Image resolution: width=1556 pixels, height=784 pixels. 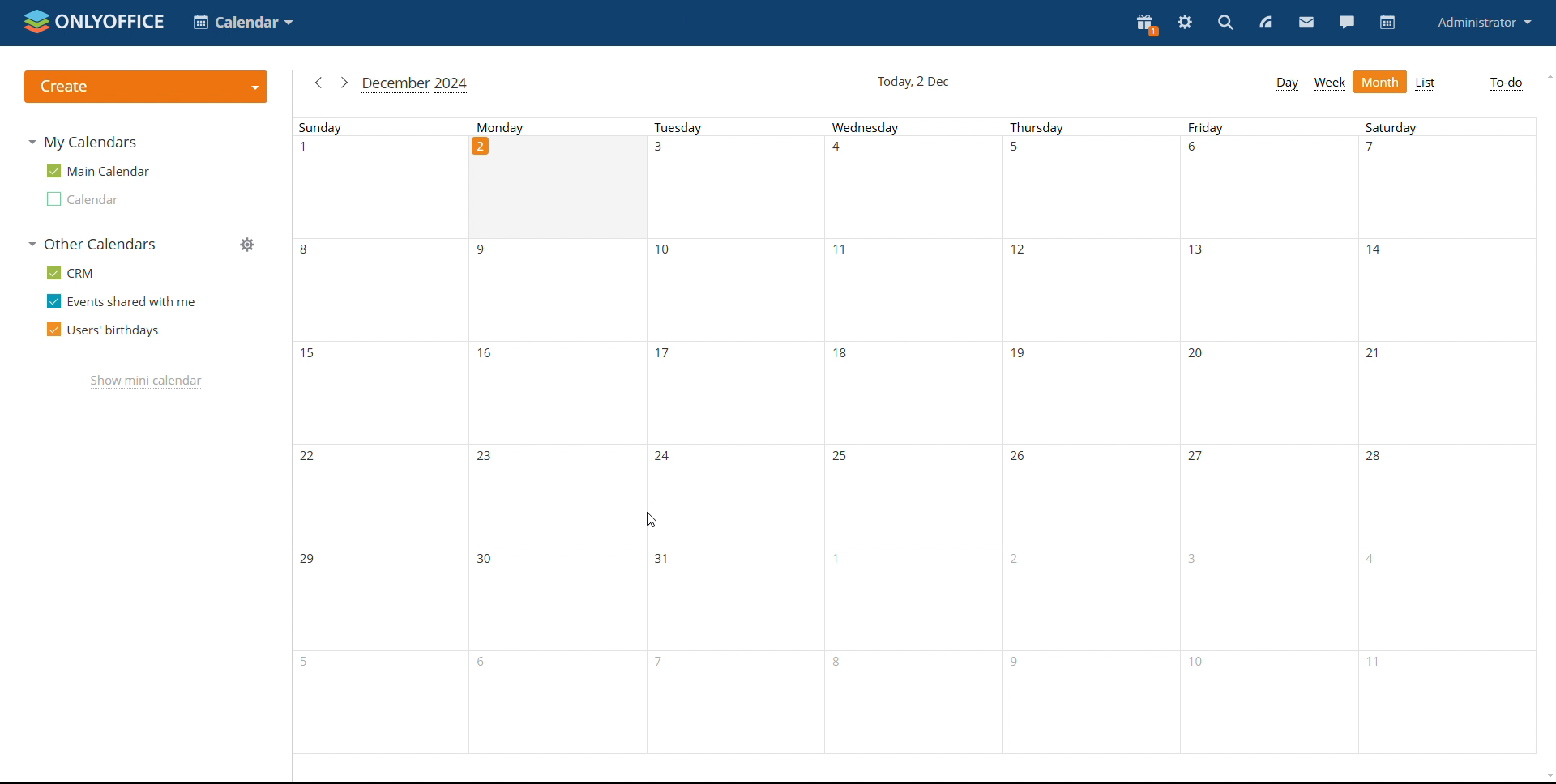 What do you see at coordinates (1267, 24) in the screenshot?
I see `feed` at bounding box center [1267, 24].